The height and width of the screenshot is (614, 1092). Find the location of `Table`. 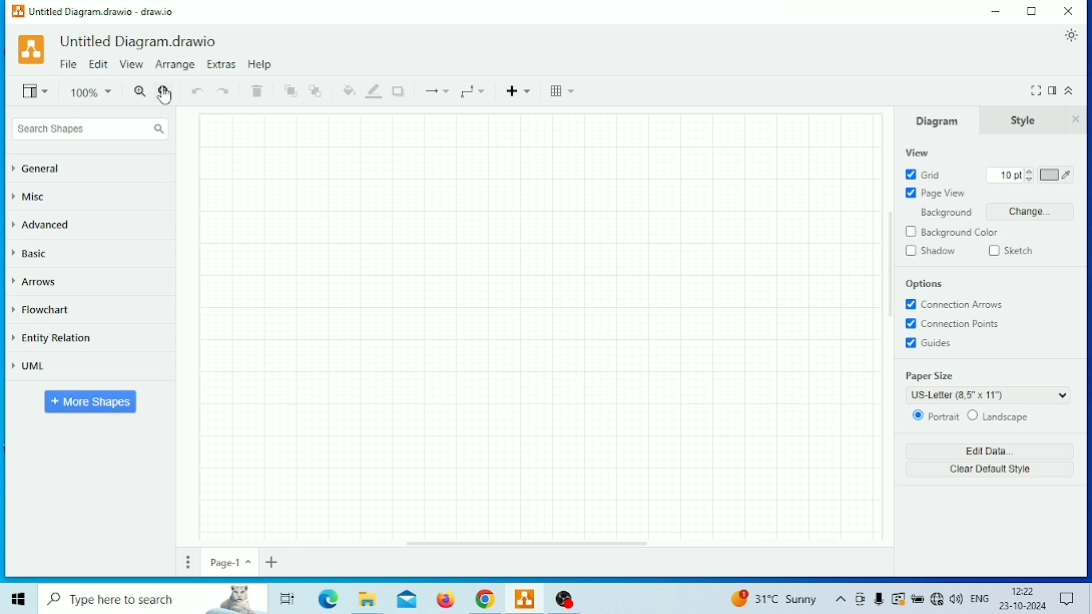

Table is located at coordinates (563, 91).